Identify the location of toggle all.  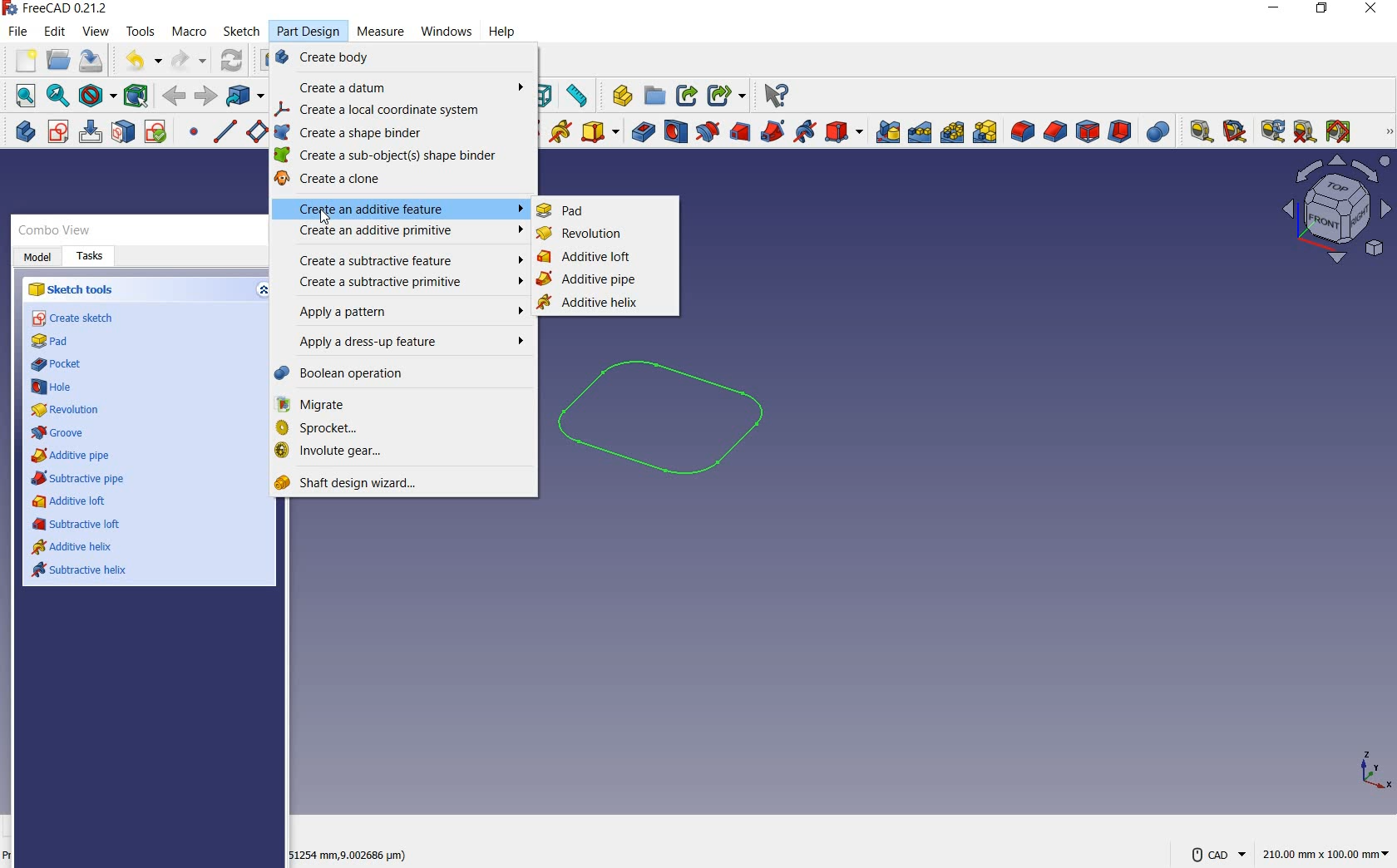
(1341, 132).